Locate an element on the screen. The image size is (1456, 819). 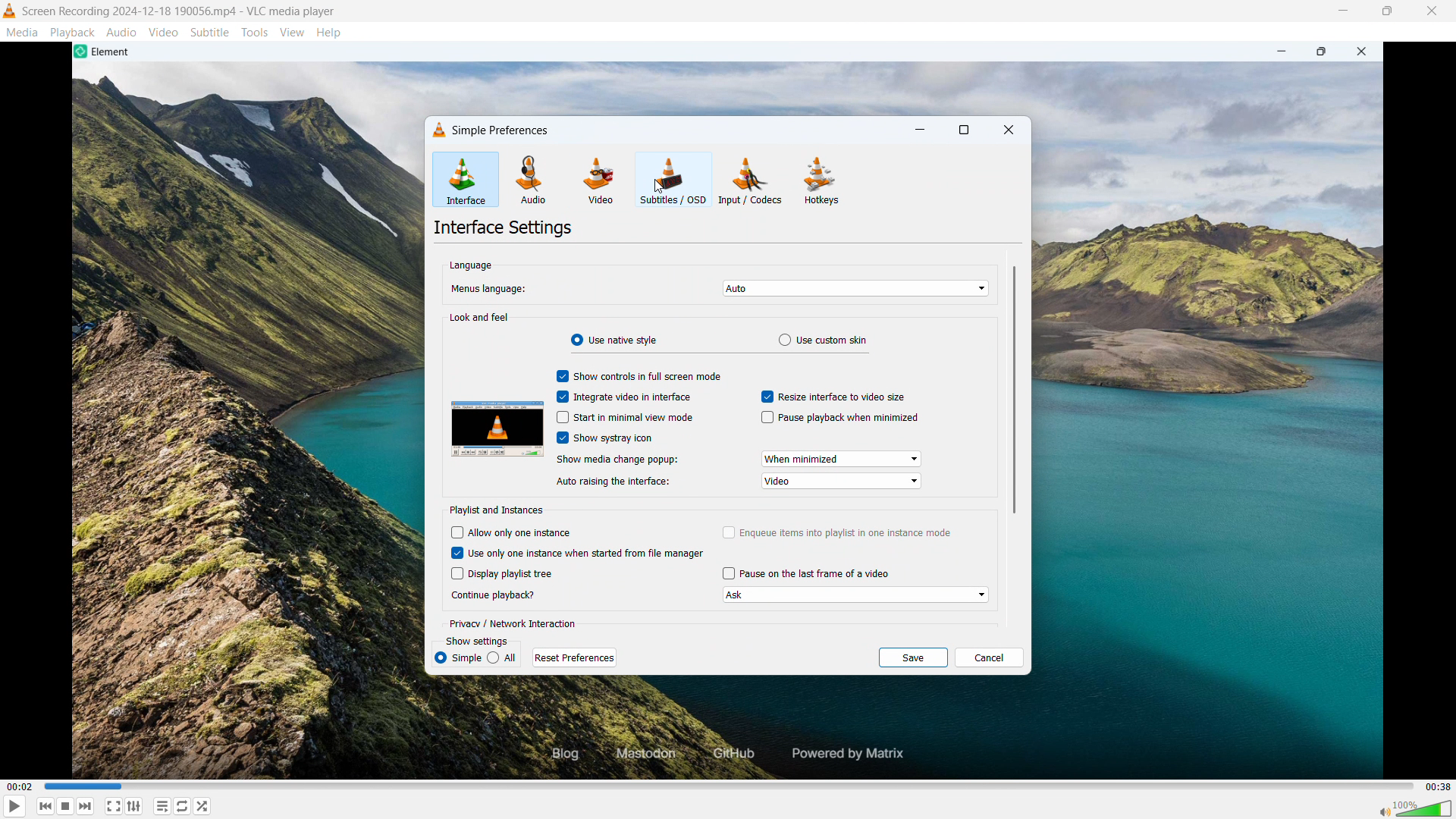
Time bar  is located at coordinates (732, 786).